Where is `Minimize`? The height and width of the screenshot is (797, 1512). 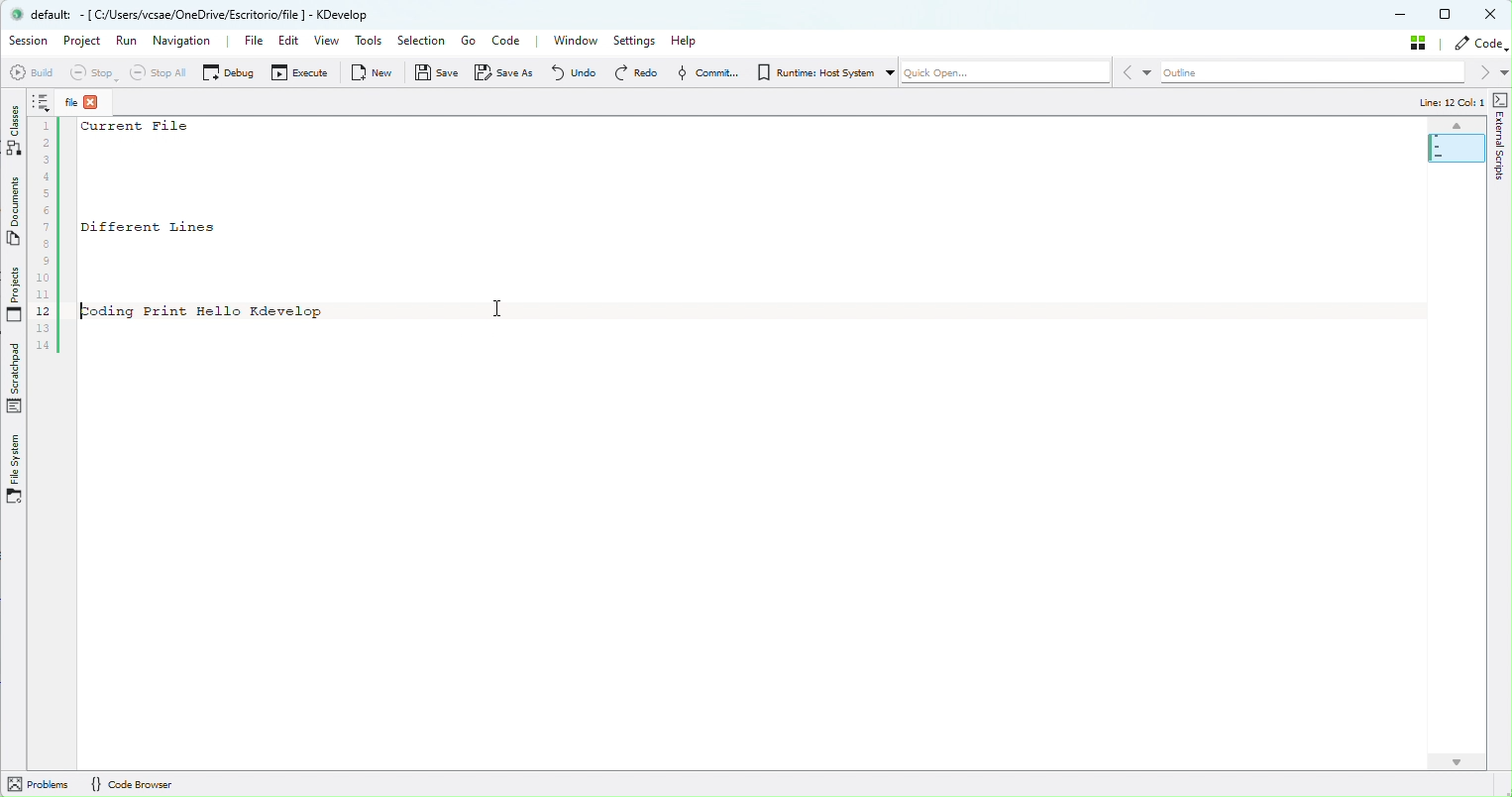 Minimize is located at coordinates (1397, 12).